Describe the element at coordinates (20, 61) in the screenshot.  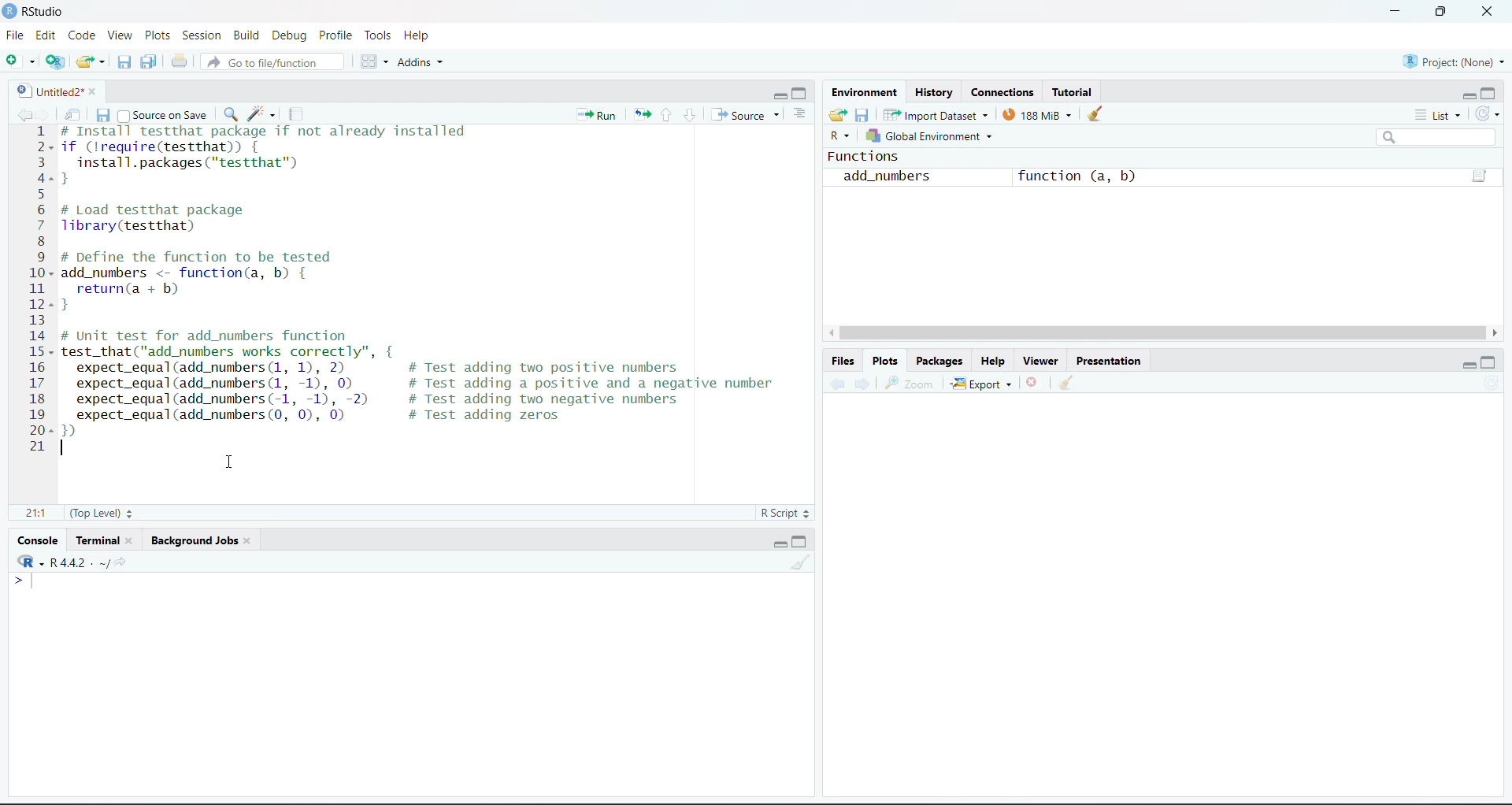
I see `new file` at that location.